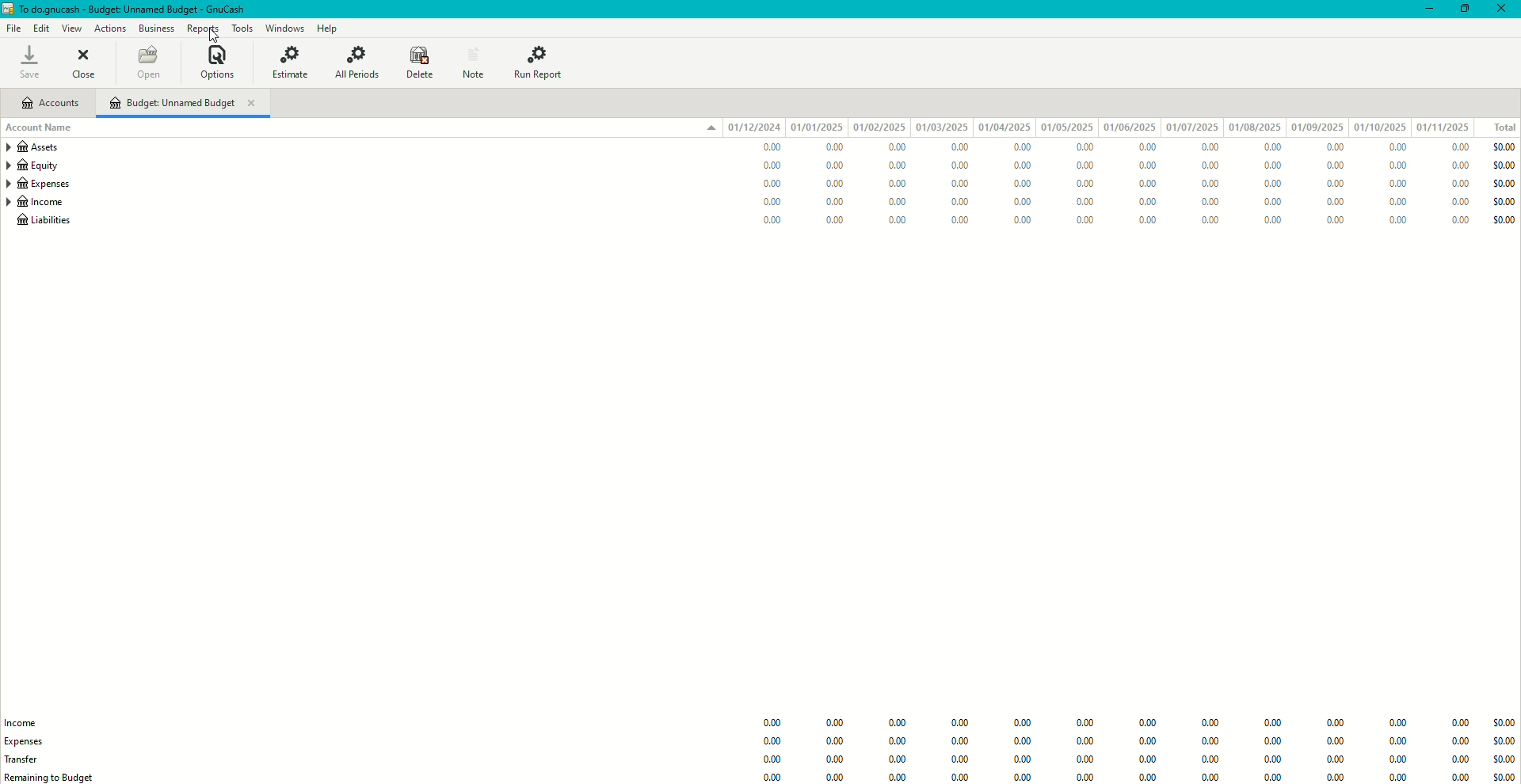 This screenshot has width=1521, height=784. Describe the element at coordinates (768, 147) in the screenshot. I see `0.00` at that location.